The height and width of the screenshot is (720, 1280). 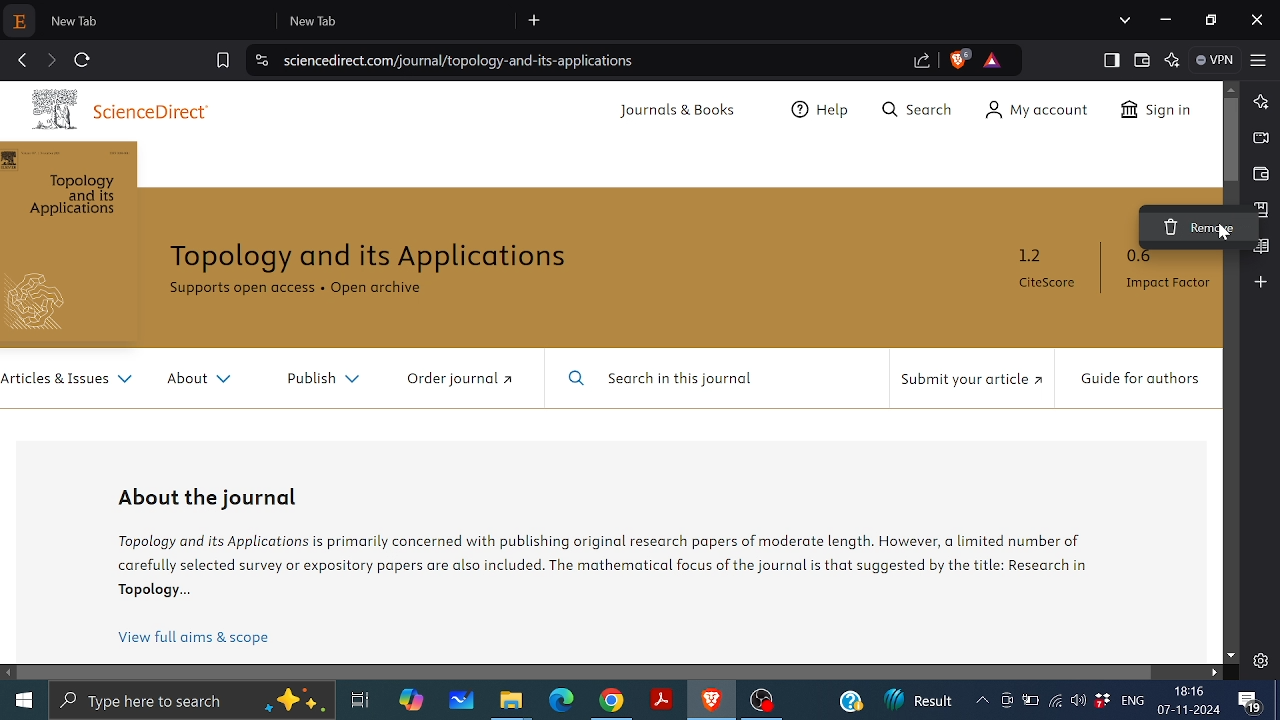 What do you see at coordinates (401, 20) in the screenshot?
I see `2nd new tab` at bounding box center [401, 20].